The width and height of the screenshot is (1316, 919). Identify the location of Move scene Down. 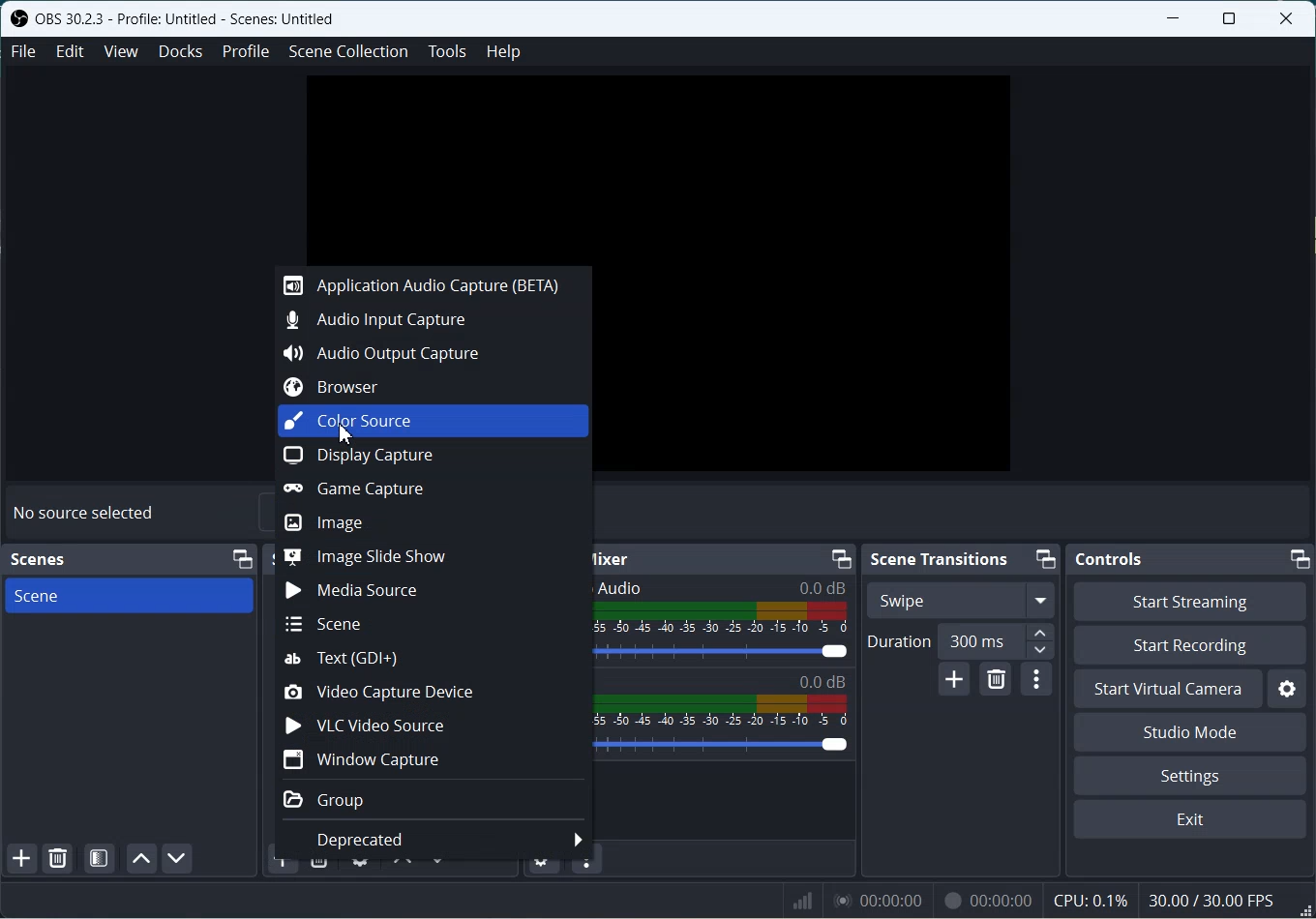
(177, 858).